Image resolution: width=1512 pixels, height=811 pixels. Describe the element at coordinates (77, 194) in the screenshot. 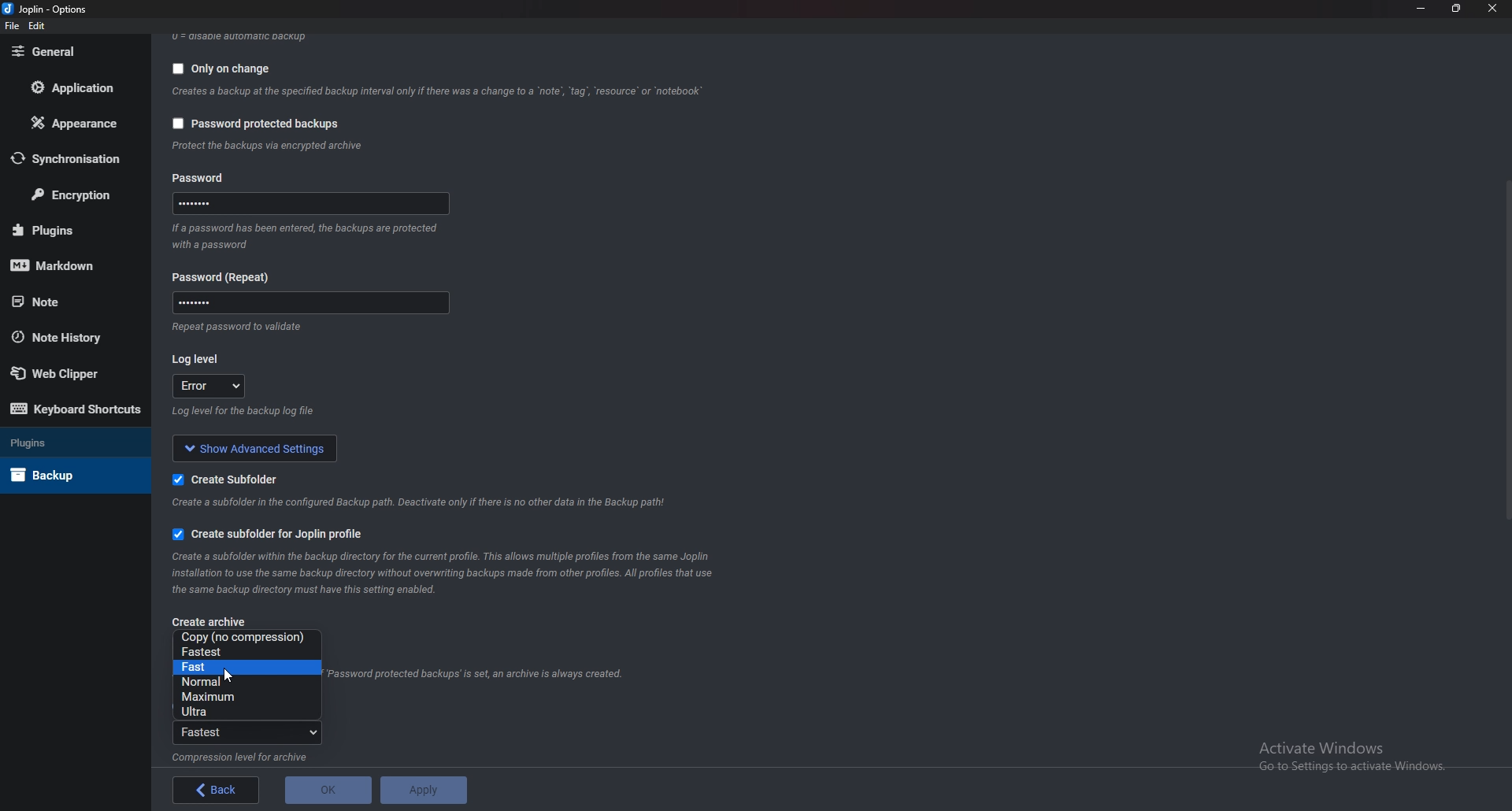

I see `Encryption` at that location.